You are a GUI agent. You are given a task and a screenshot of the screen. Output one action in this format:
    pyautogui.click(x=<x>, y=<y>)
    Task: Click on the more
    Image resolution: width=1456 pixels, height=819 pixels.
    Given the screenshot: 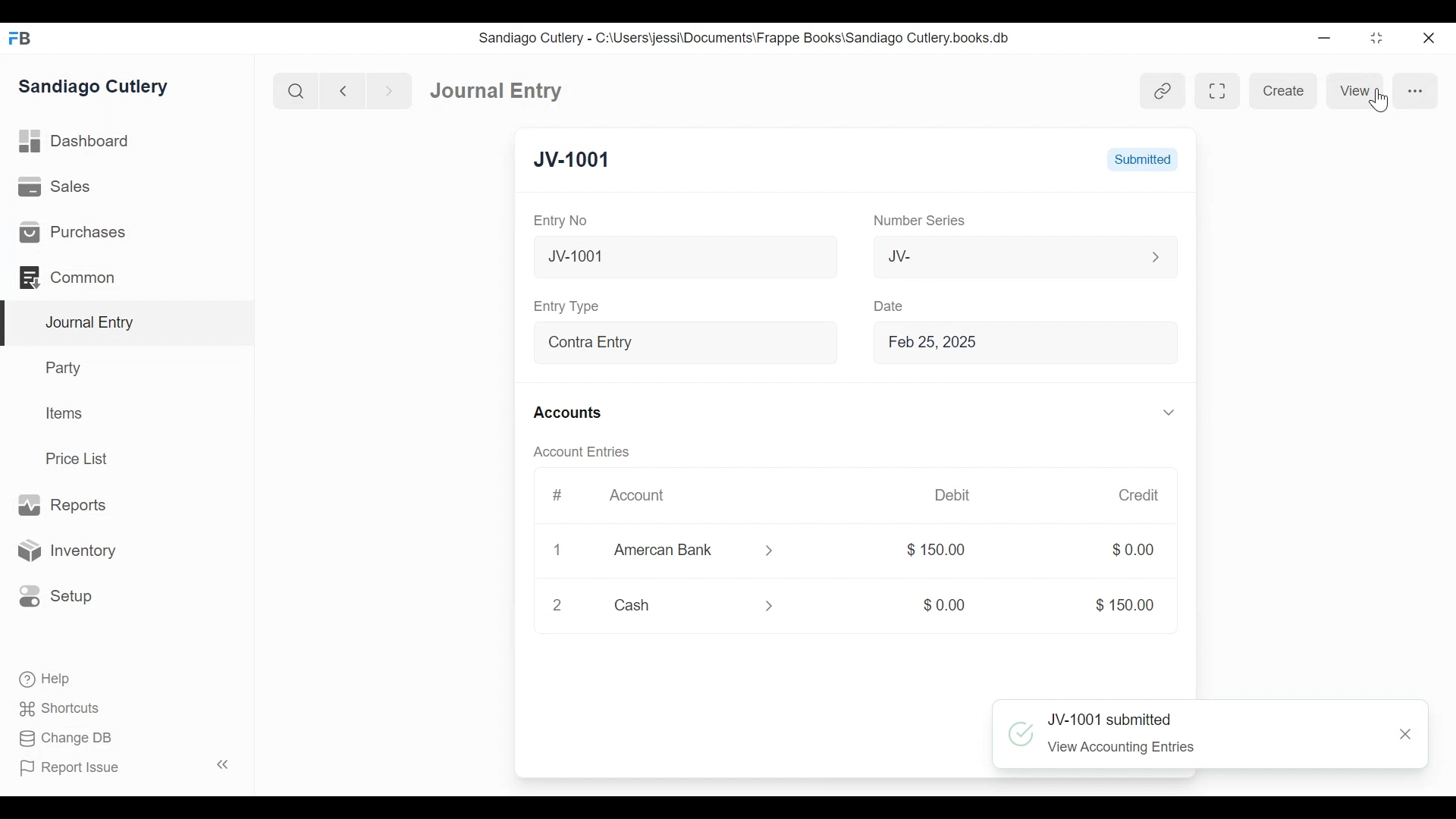 What is the action you would take?
    pyautogui.click(x=1407, y=91)
    